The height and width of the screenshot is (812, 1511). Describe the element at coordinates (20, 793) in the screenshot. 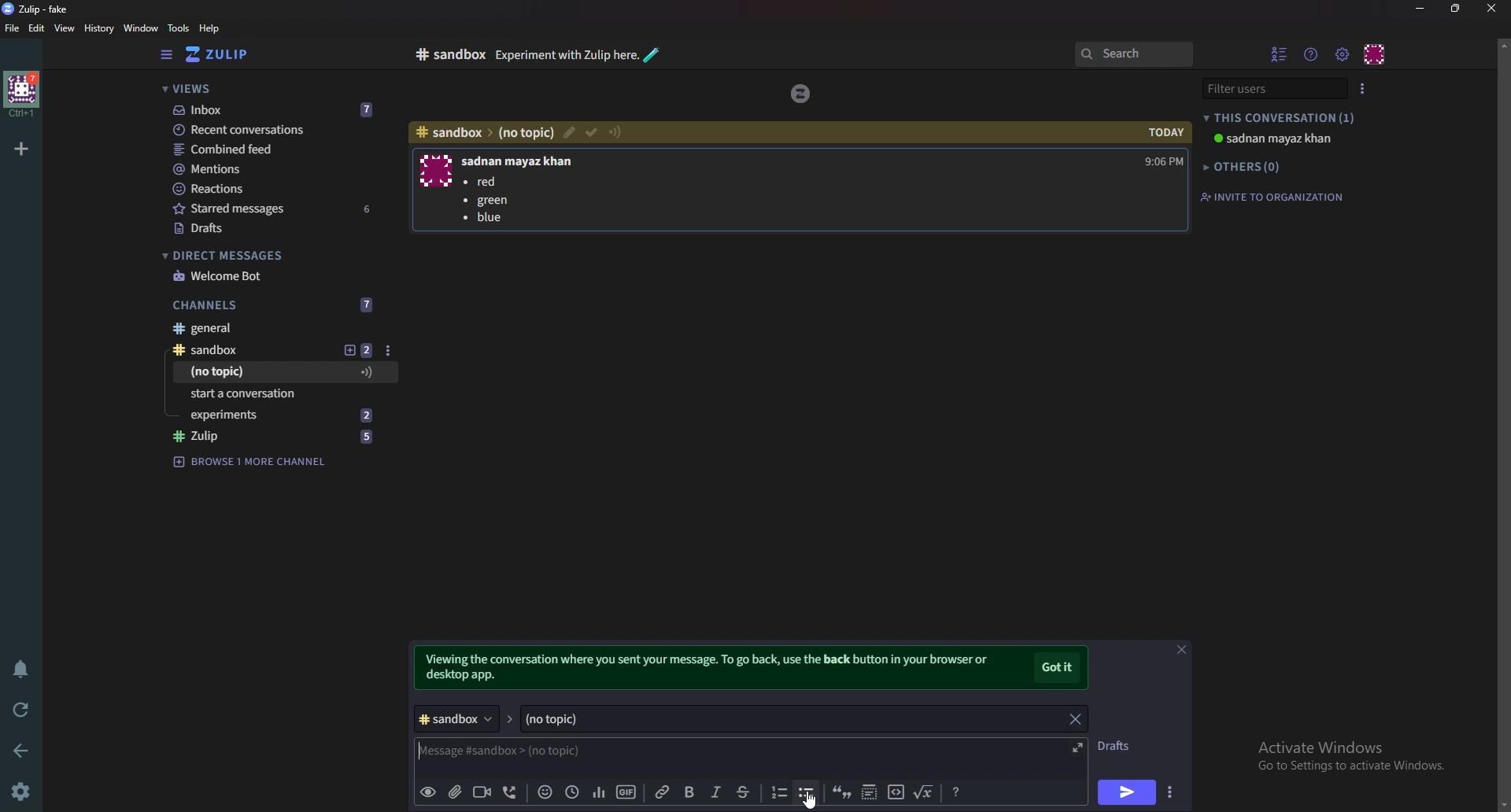

I see `Settings` at that location.